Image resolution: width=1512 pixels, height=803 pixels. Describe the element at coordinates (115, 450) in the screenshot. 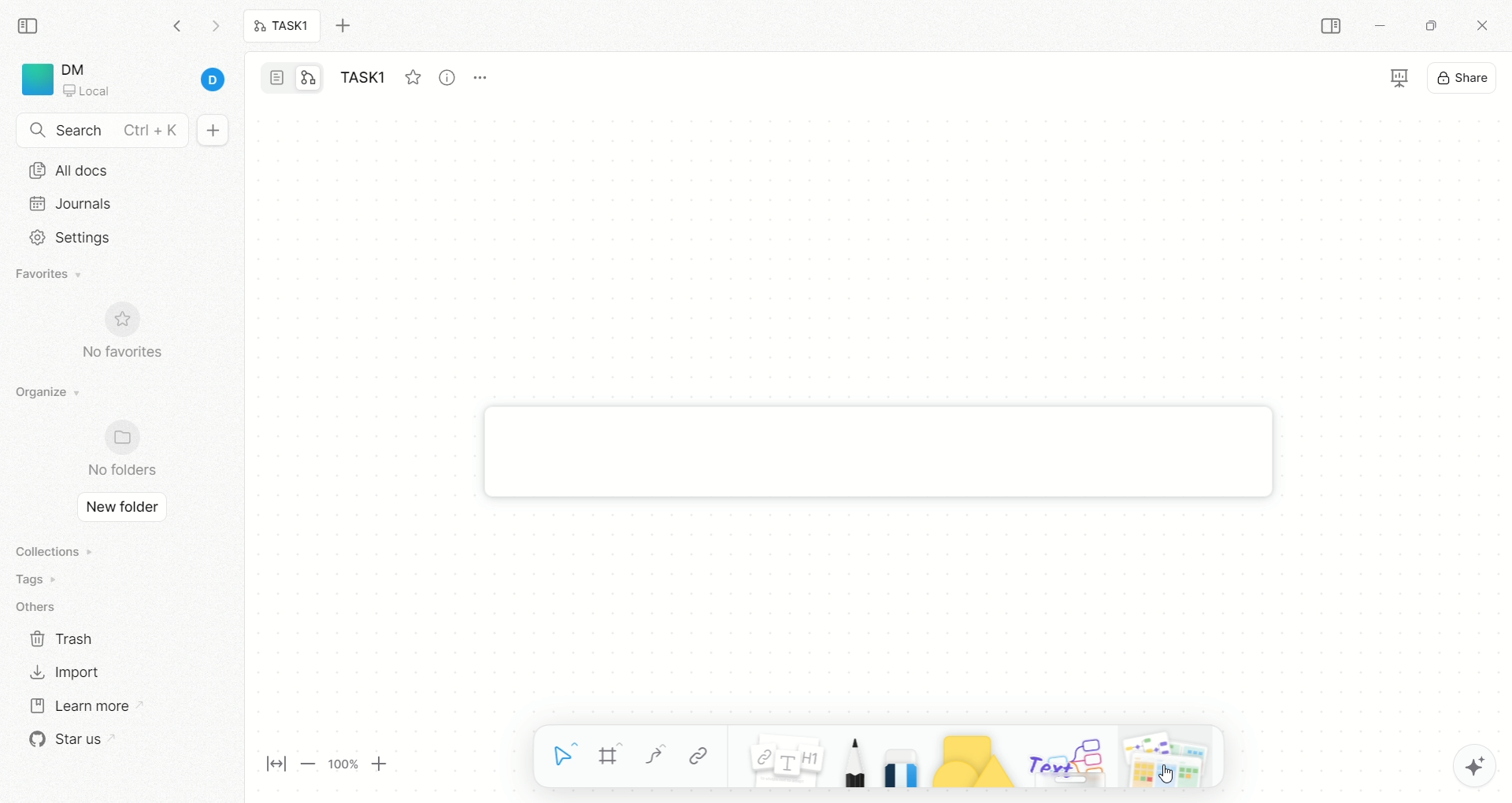

I see `no folder` at that location.